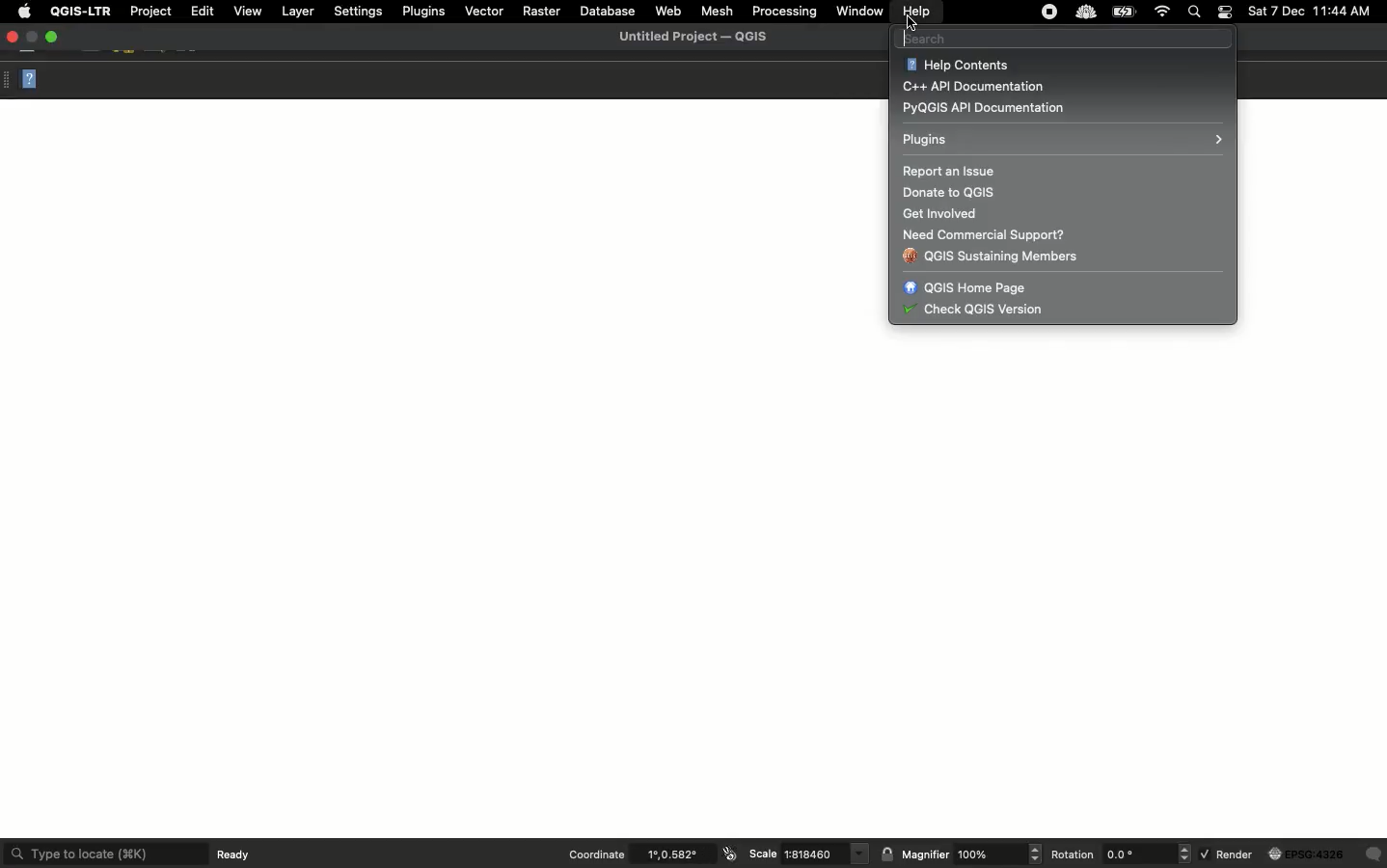 The image size is (1387, 868). What do you see at coordinates (671, 12) in the screenshot?
I see `Web` at bounding box center [671, 12].